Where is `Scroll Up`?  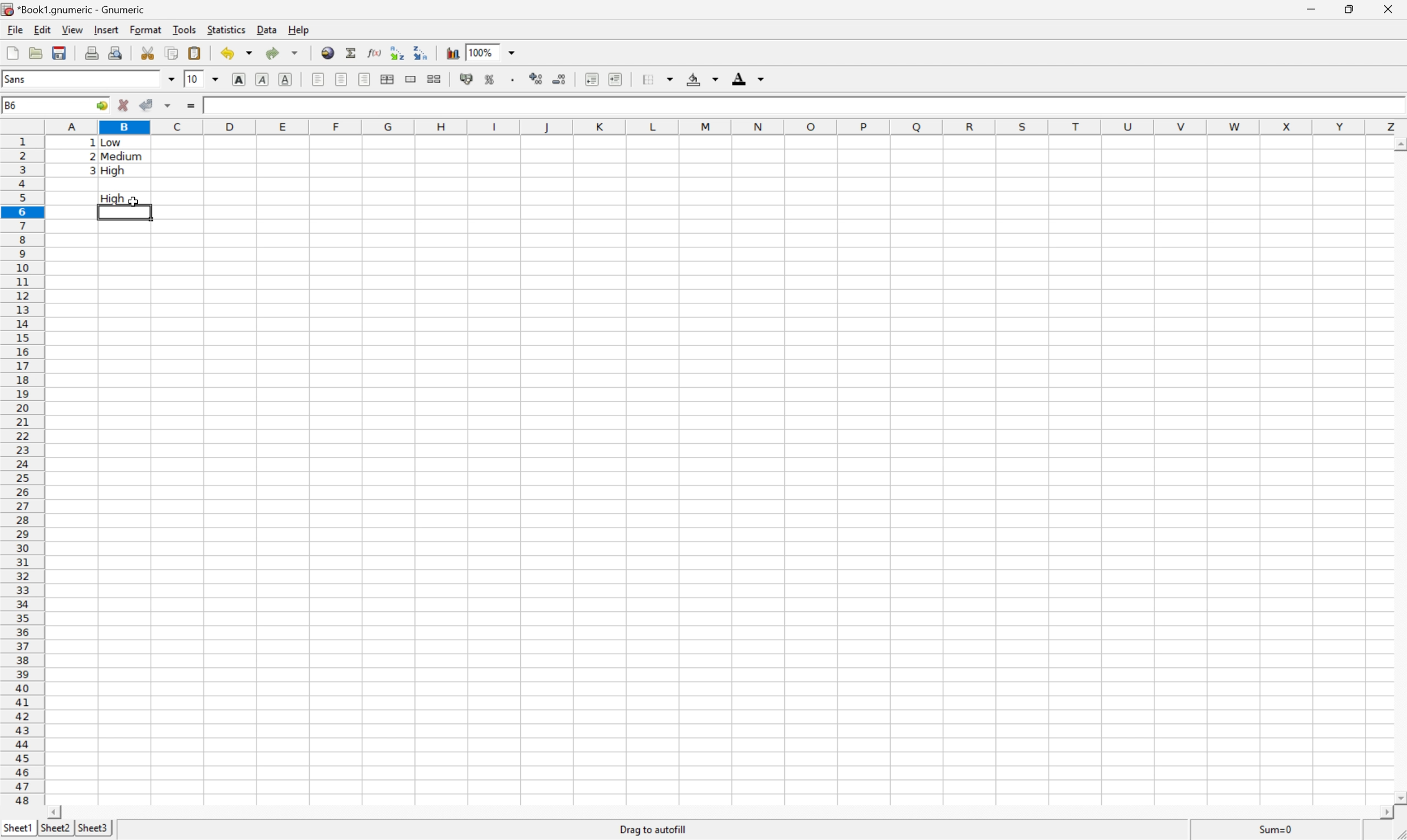 Scroll Up is located at coordinates (1398, 144).